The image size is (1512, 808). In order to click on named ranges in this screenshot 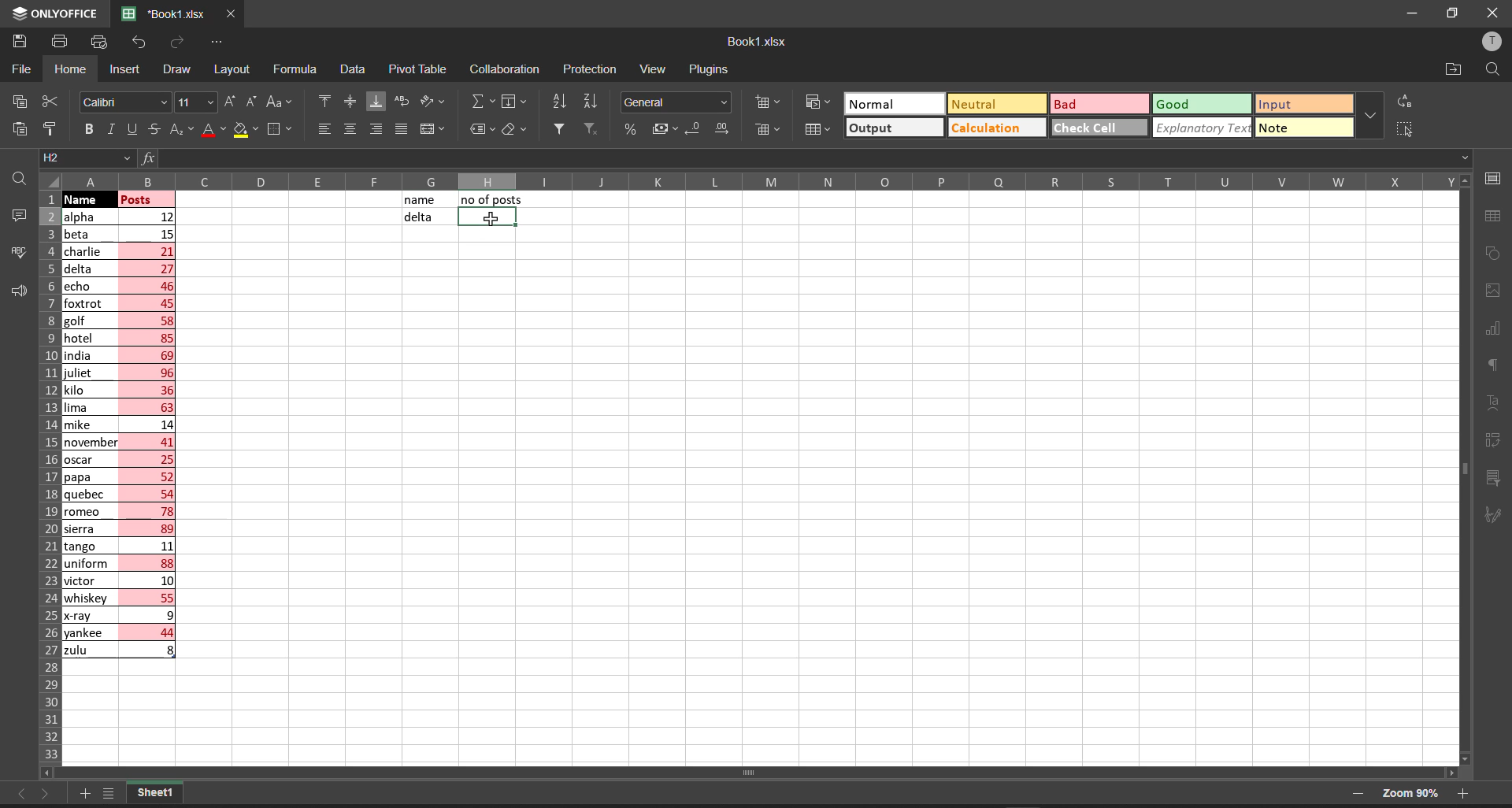, I will do `click(481, 130)`.